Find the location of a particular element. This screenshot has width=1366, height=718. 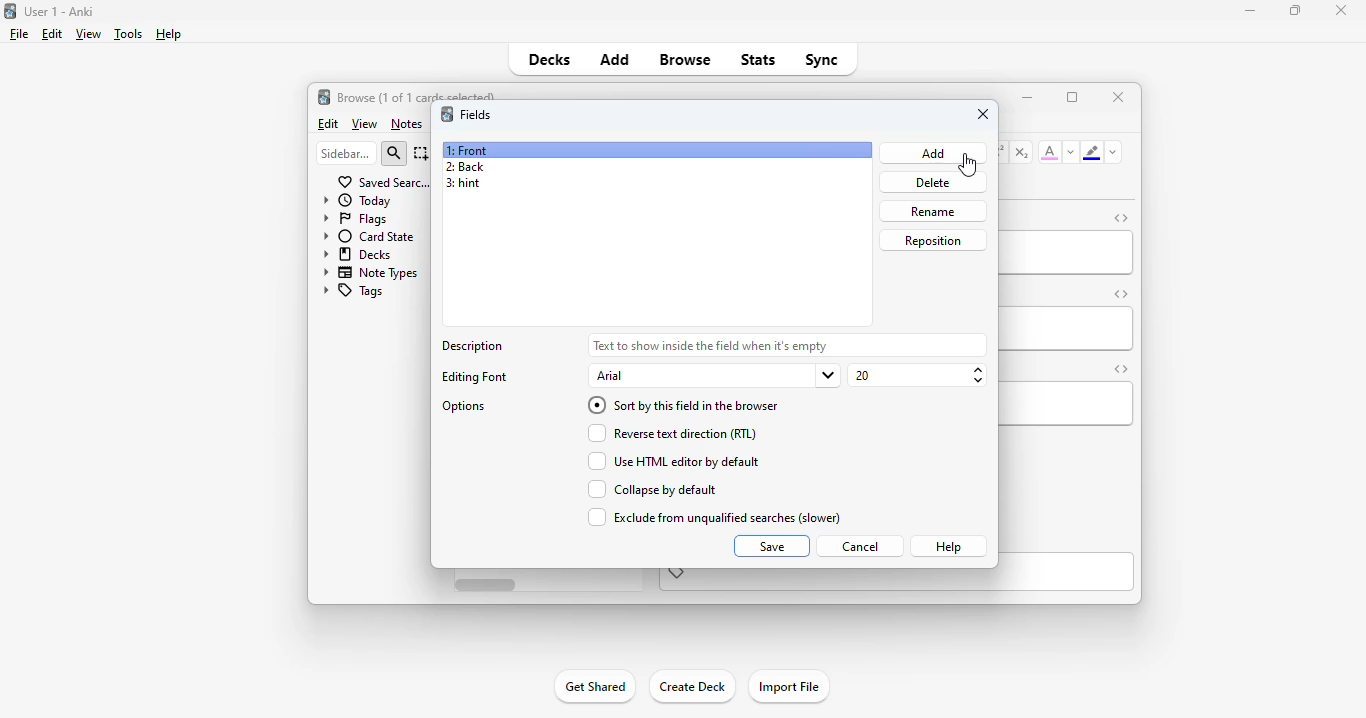

change color is located at coordinates (1113, 152).